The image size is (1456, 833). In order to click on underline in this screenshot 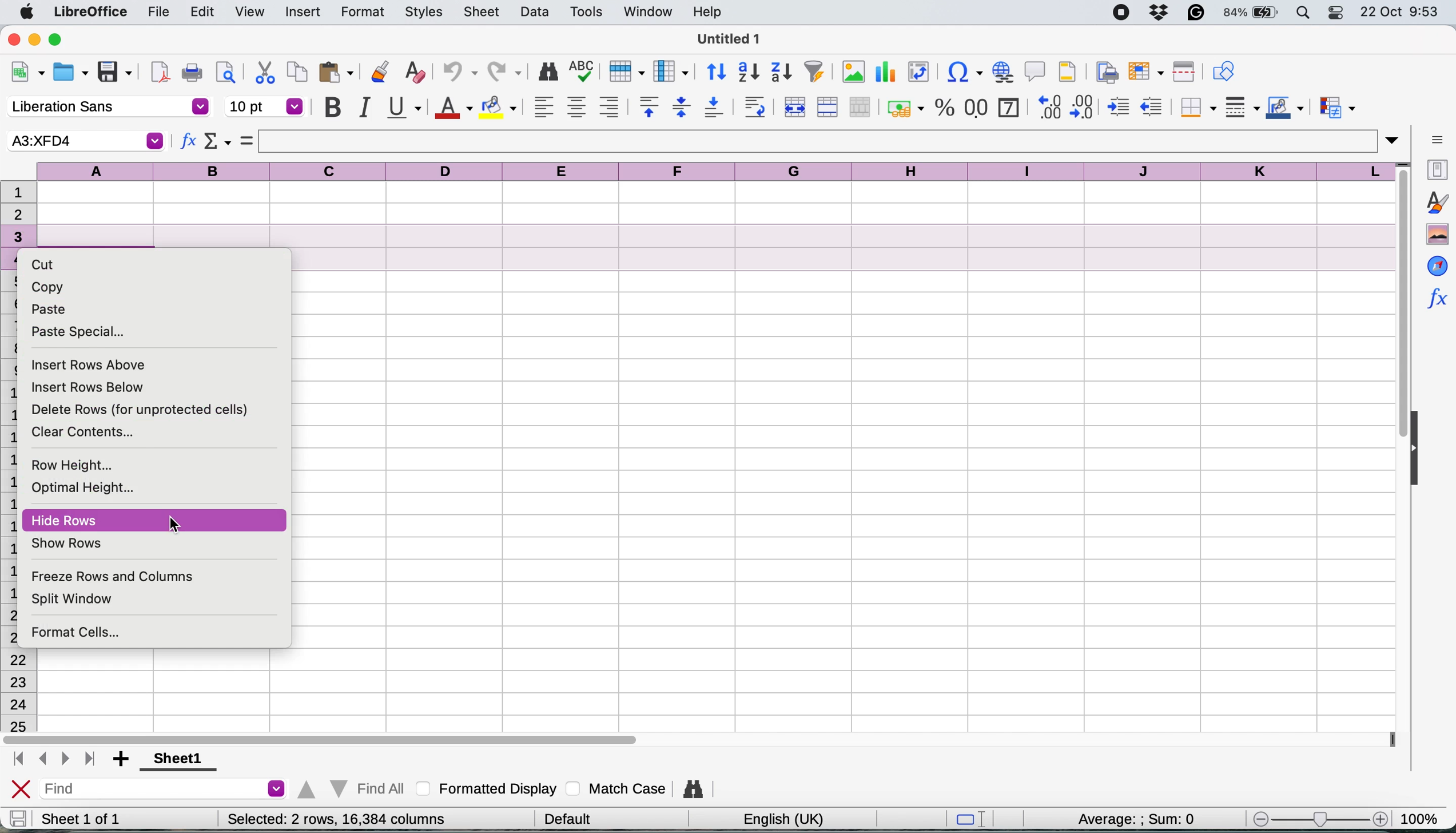, I will do `click(403, 106)`.